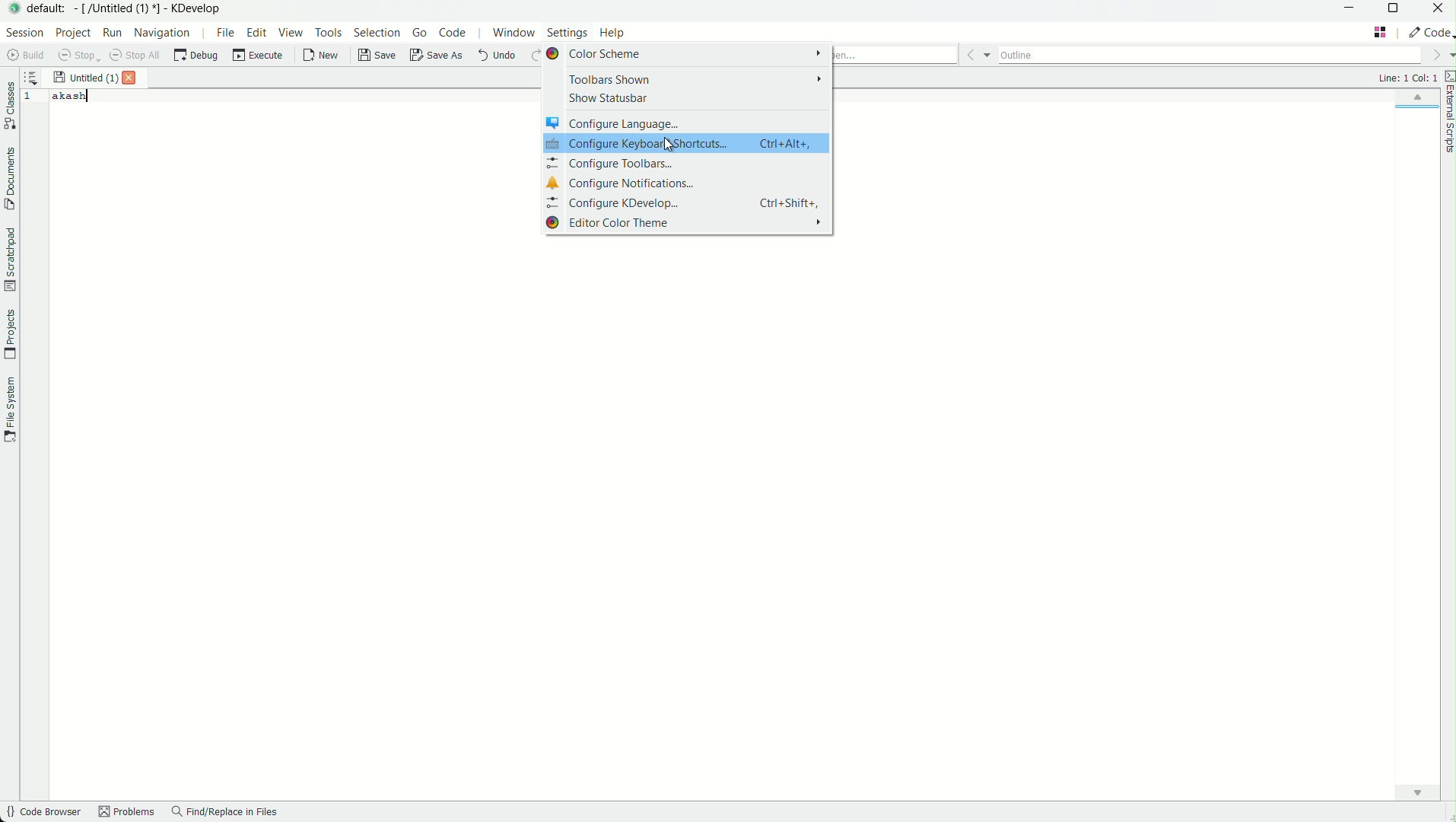 This screenshot has height=822, width=1456. I want to click on execute actions to change the area, so click(1429, 32).